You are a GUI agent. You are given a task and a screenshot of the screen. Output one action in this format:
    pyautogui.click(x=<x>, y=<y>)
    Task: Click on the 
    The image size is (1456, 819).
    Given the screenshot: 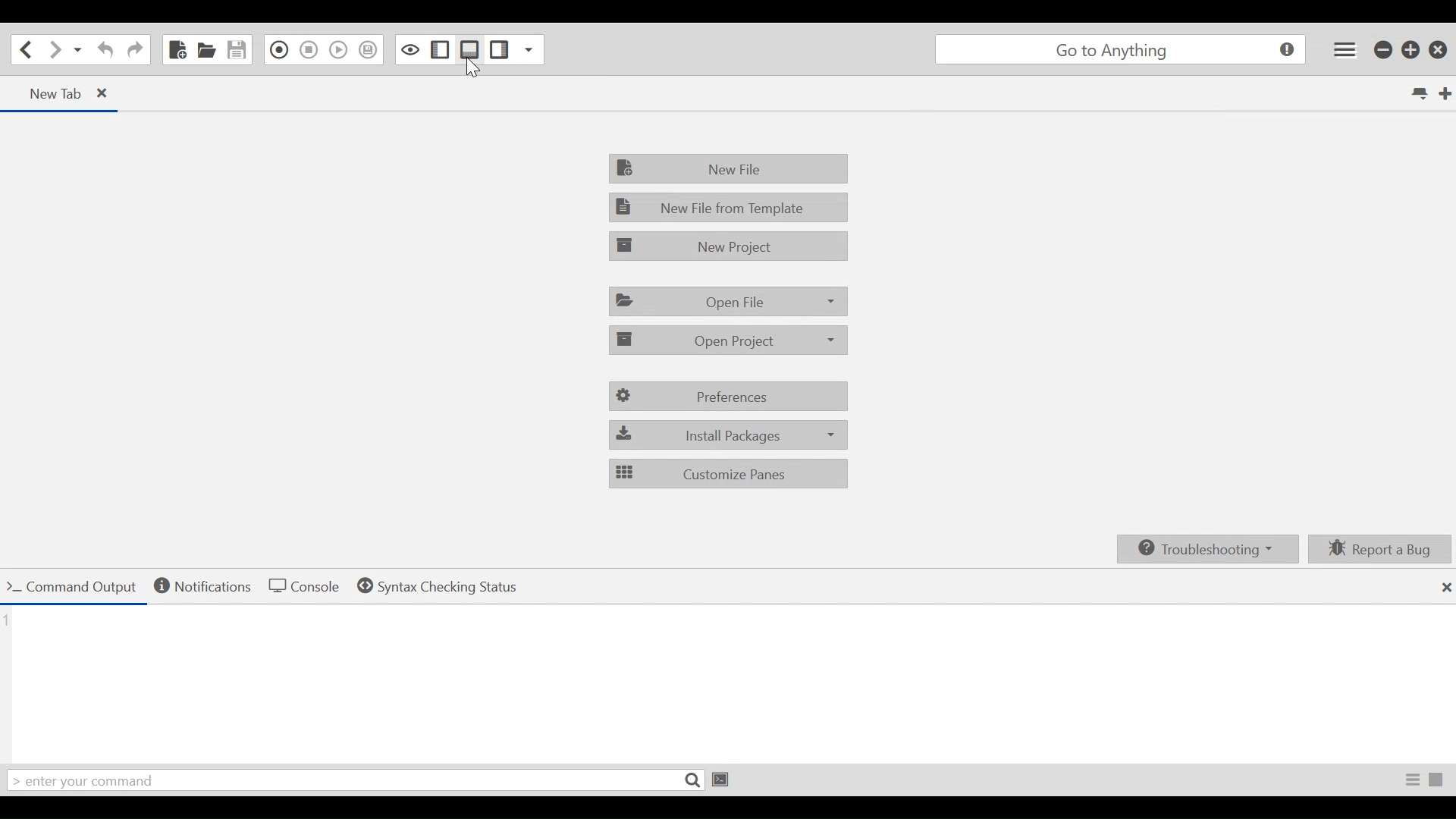 What is the action you would take?
    pyautogui.click(x=1445, y=586)
    